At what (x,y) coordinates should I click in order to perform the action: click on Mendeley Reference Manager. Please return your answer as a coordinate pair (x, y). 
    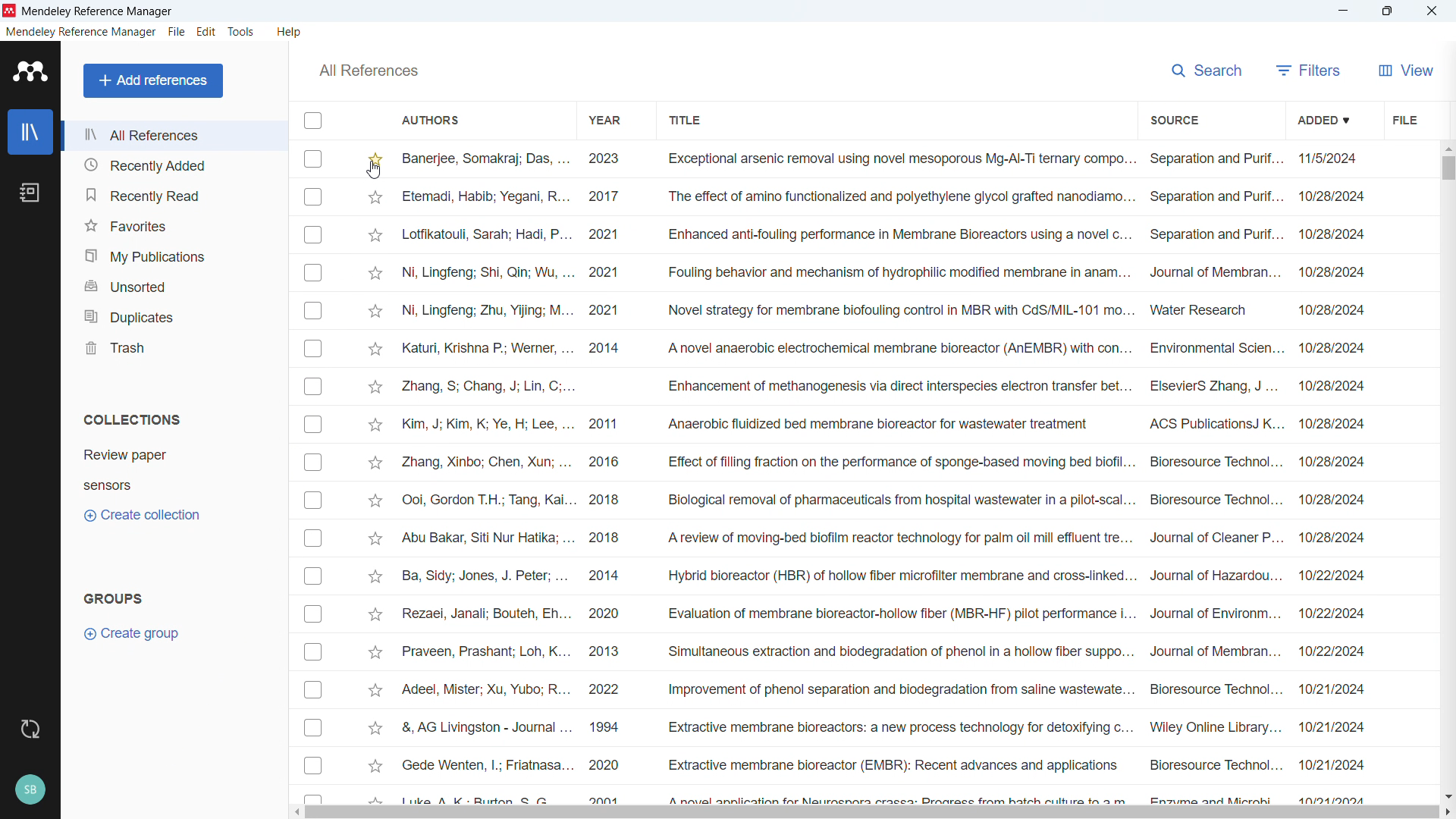
    Looking at the image, I should click on (97, 11).